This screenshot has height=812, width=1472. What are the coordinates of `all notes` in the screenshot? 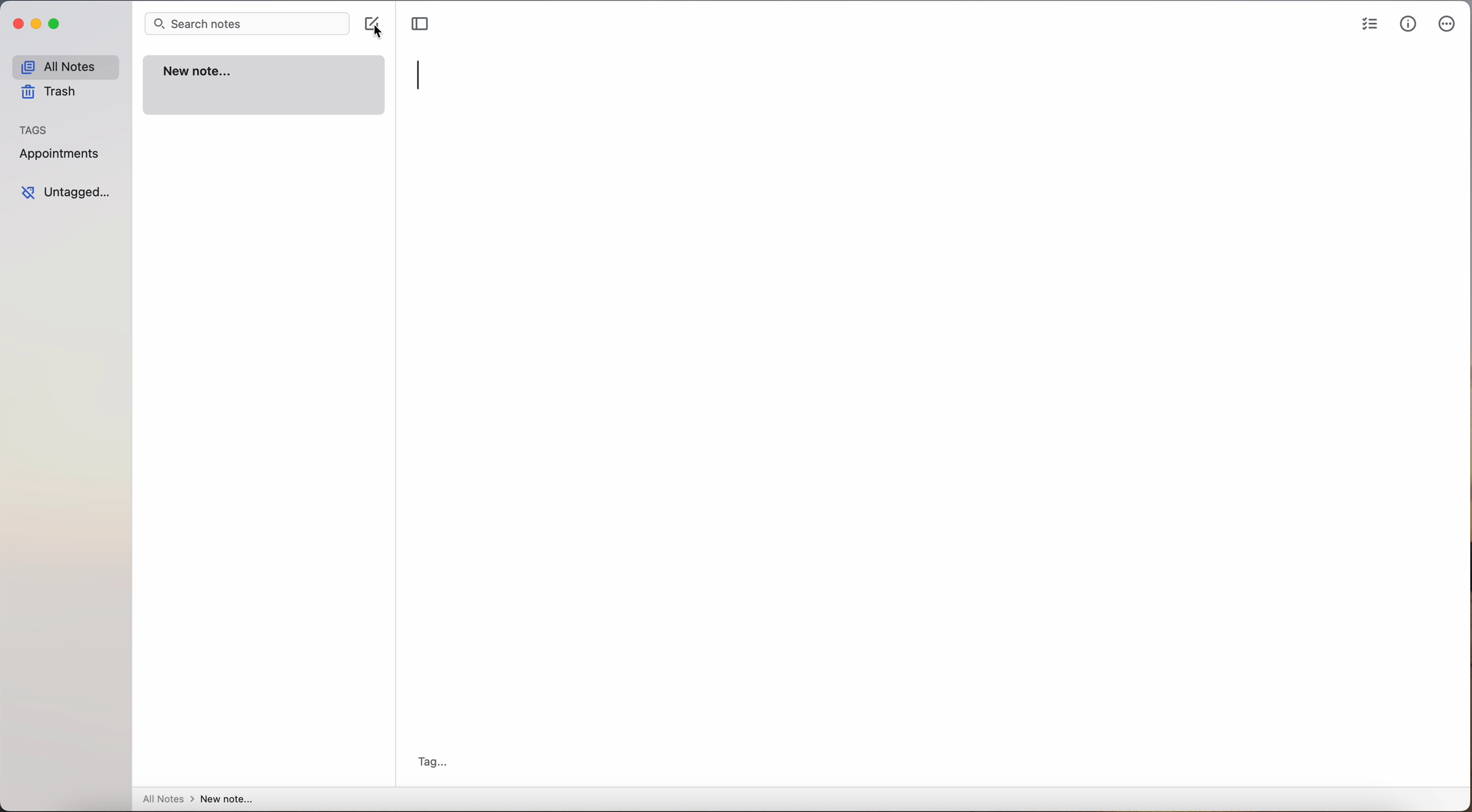 It's located at (166, 799).